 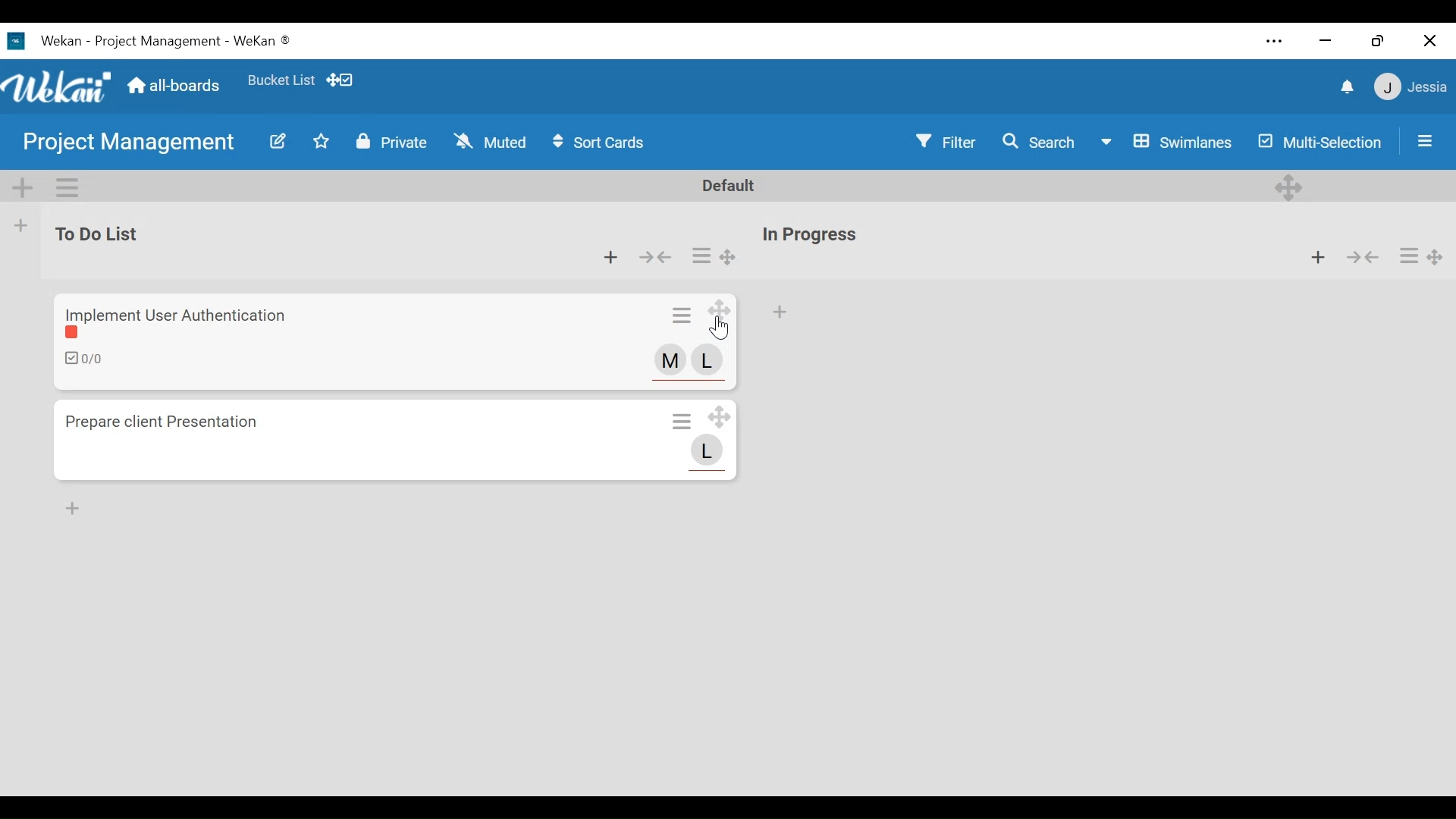 What do you see at coordinates (1363, 256) in the screenshot?
I see `collapse` at bounding box center [1363, 256].